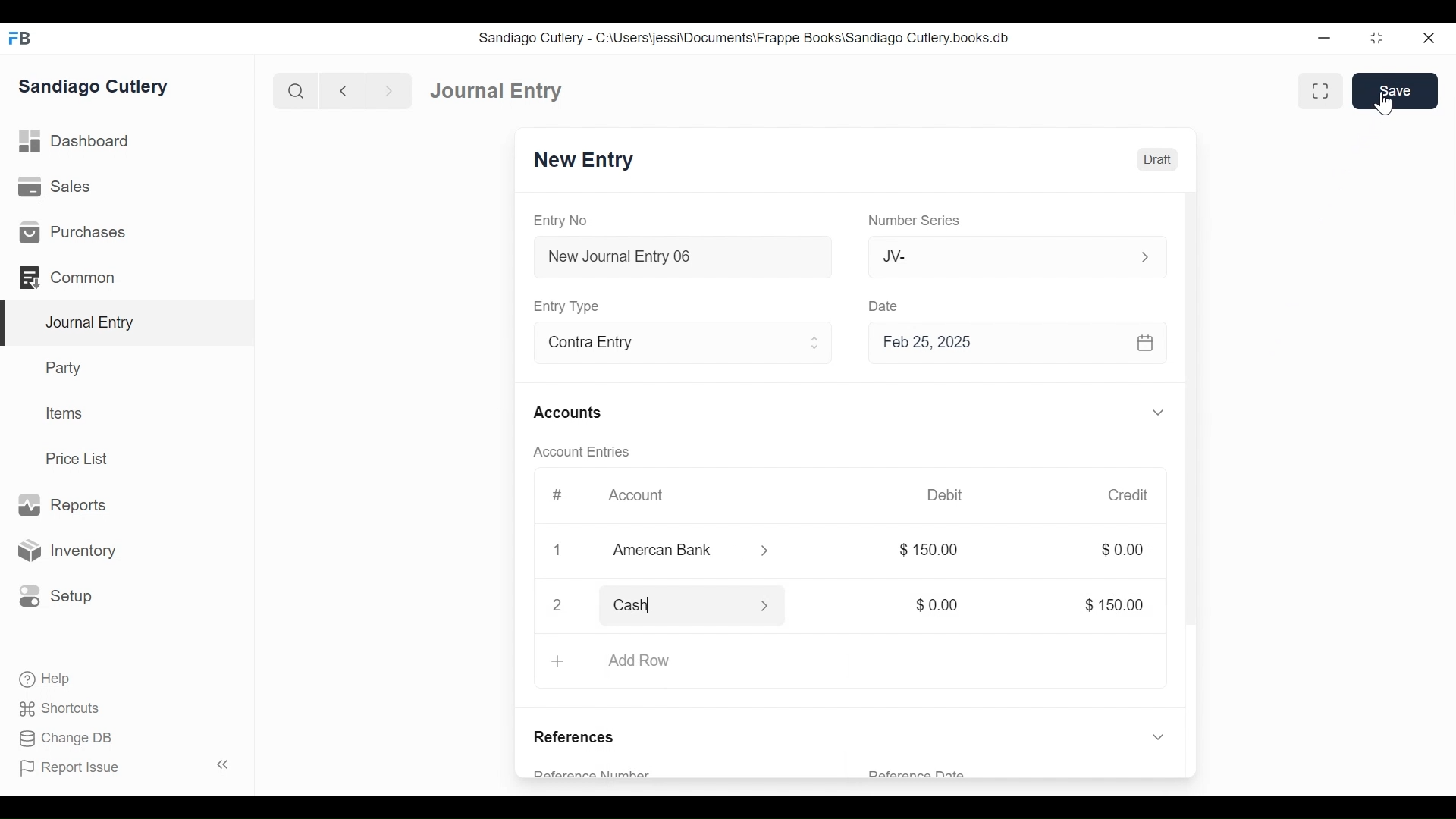 The image size is (1456, 819). Describe the element at coordinates (1122, 549) in the screenshot. I see `$0.00` at that location.